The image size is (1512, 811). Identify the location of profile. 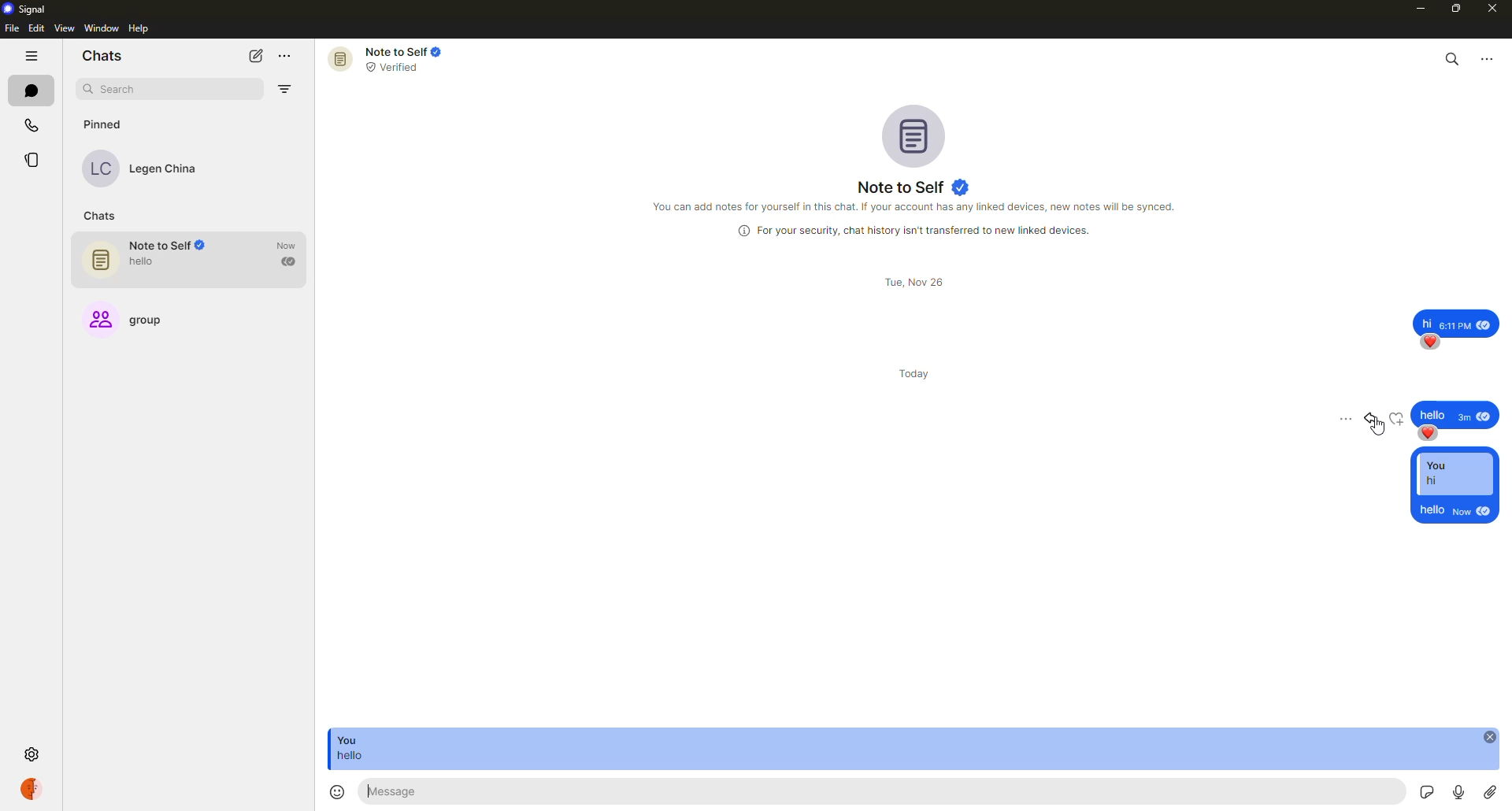
(38, 788).